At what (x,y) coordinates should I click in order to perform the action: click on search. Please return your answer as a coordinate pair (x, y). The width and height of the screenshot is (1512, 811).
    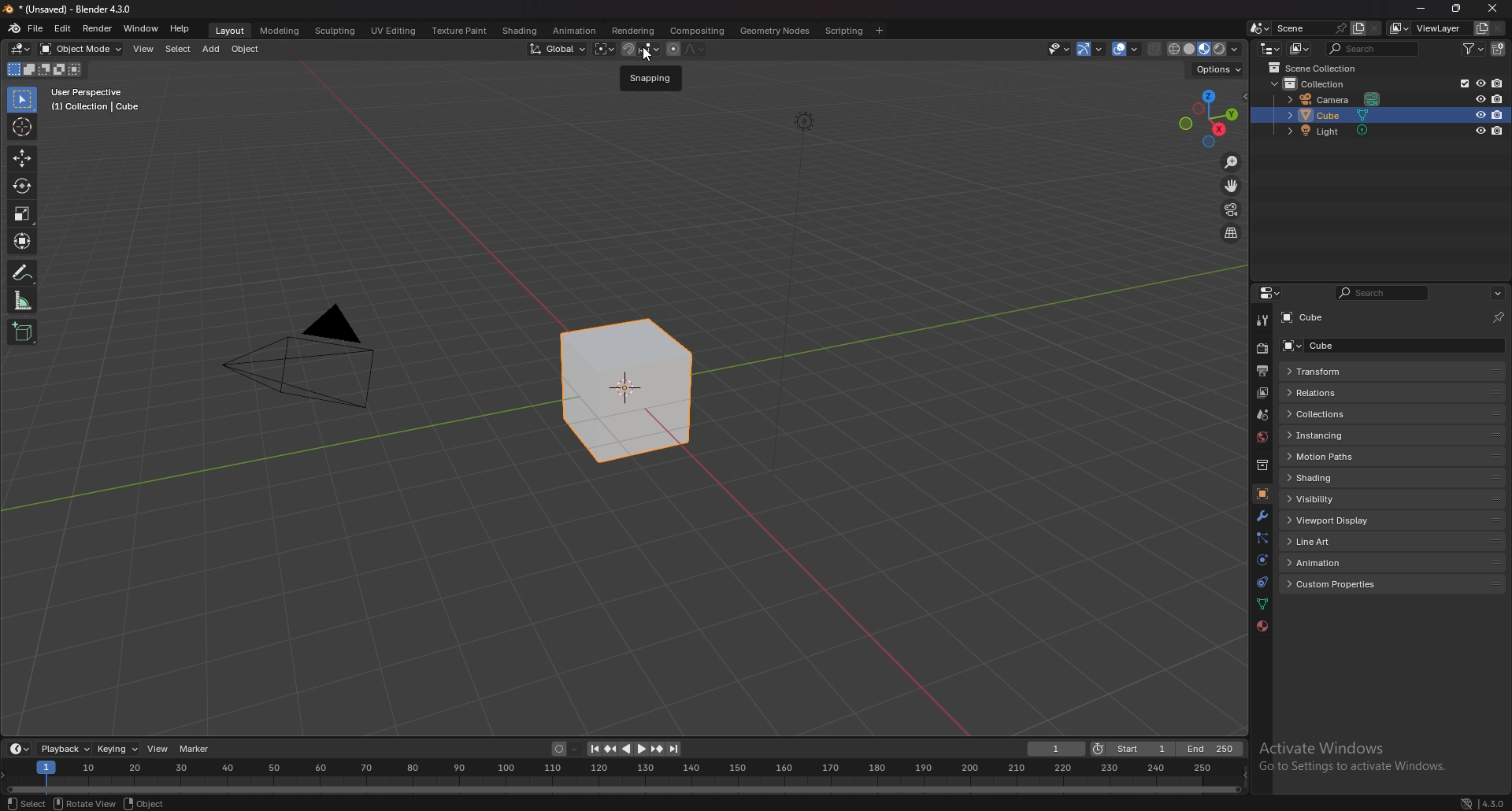
    Looking at the image, I should click on (1374, 48).